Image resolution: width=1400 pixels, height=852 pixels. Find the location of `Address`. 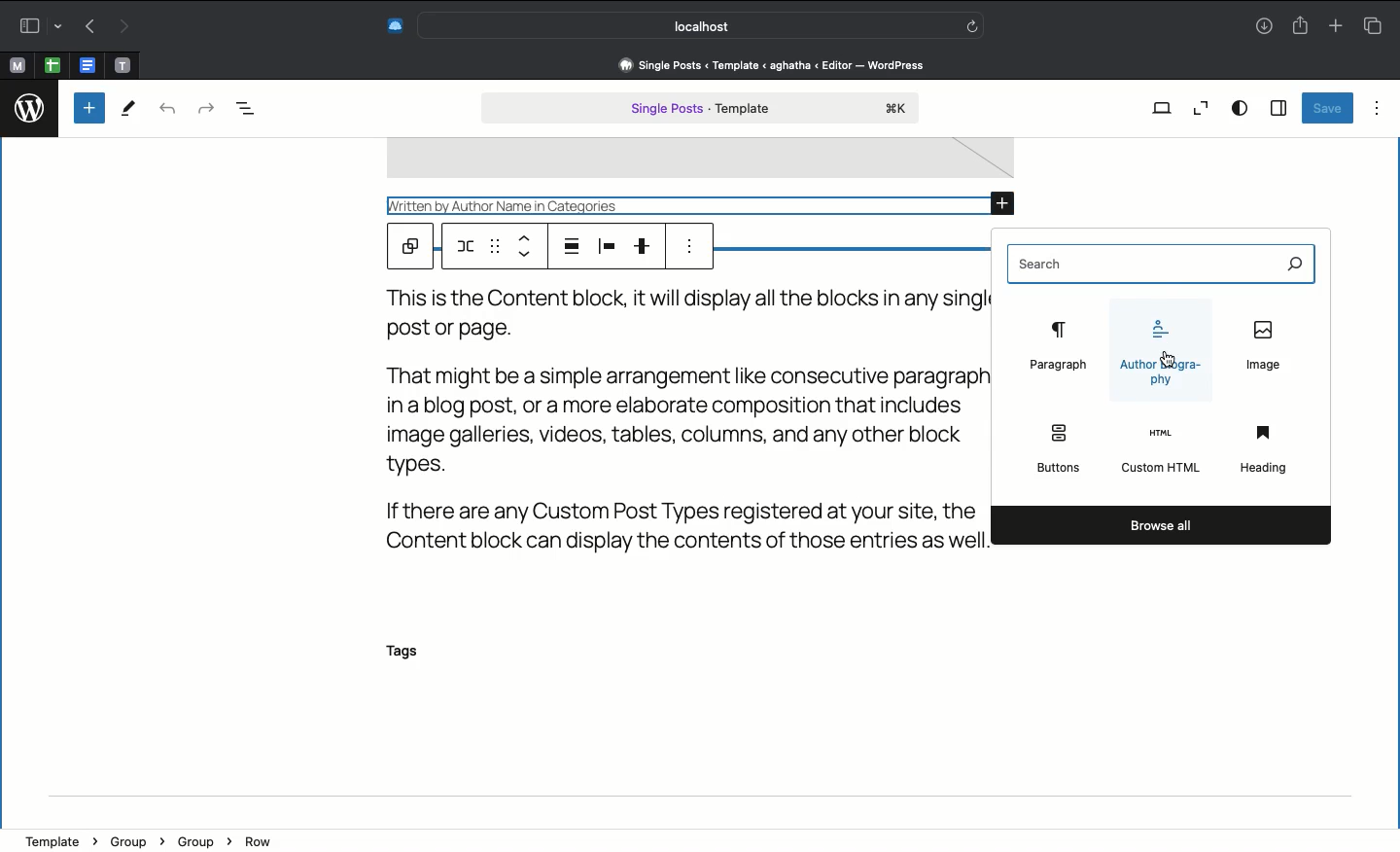

Address is located at coordinates (769, 64).